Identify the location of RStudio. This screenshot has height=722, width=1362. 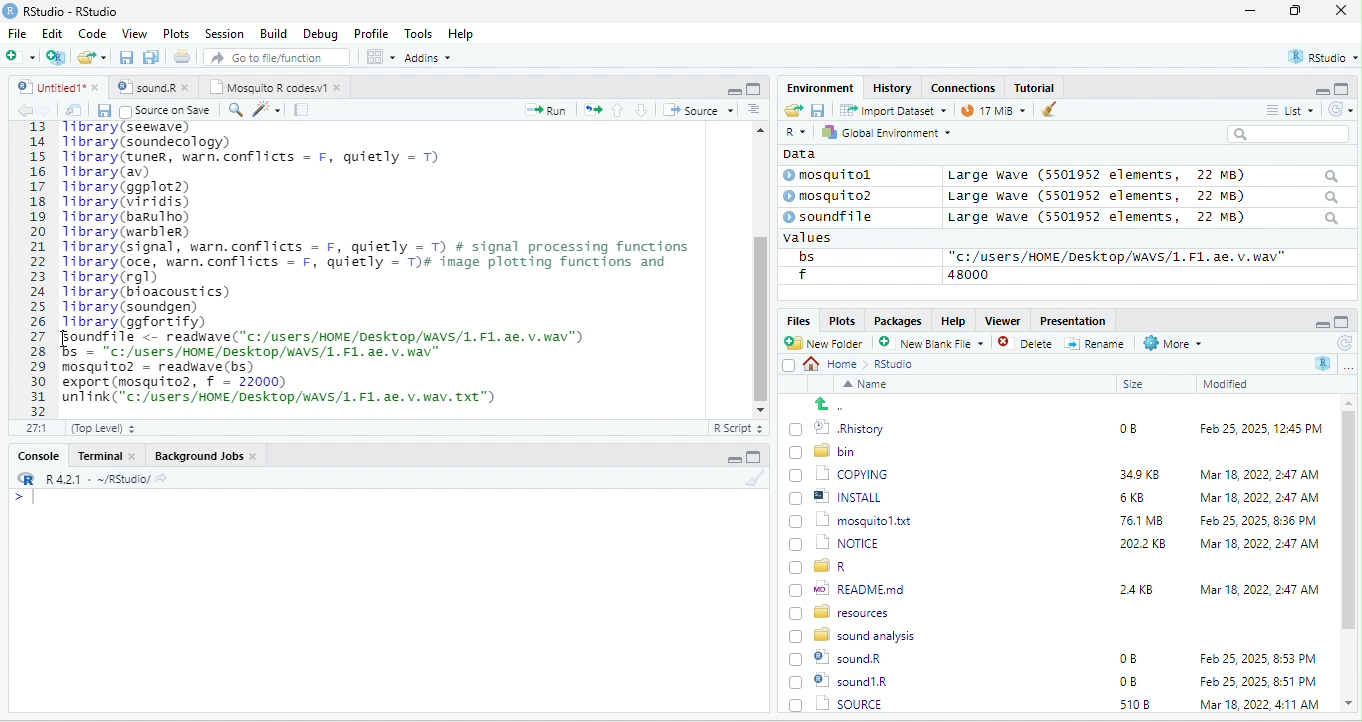
(64, 10).